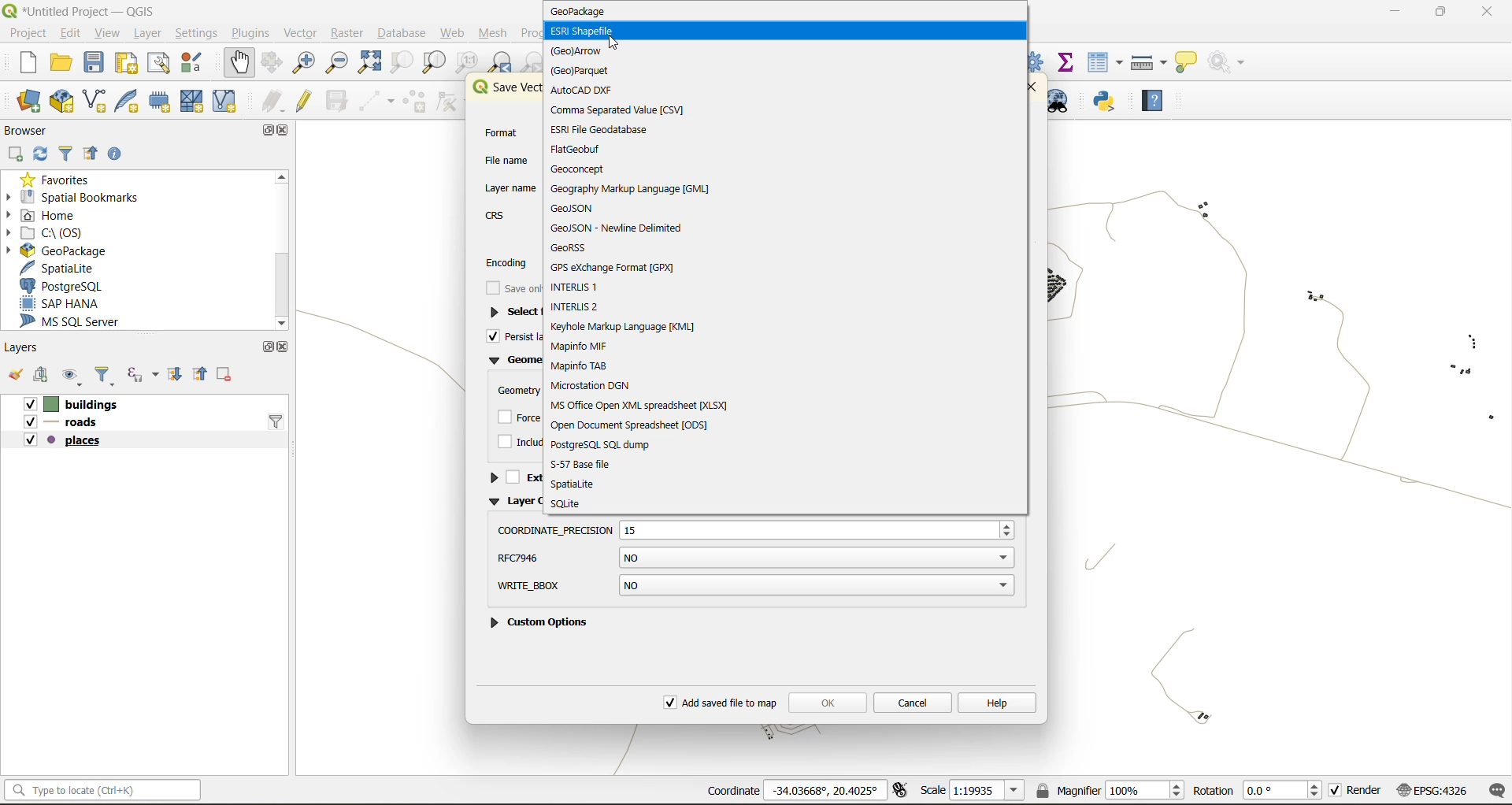 This screenshot has width=1512, height=805. What do you see at coordinates (585, 485) in the screenshot?
I see `spatialite` at bounding box center [585, 485].